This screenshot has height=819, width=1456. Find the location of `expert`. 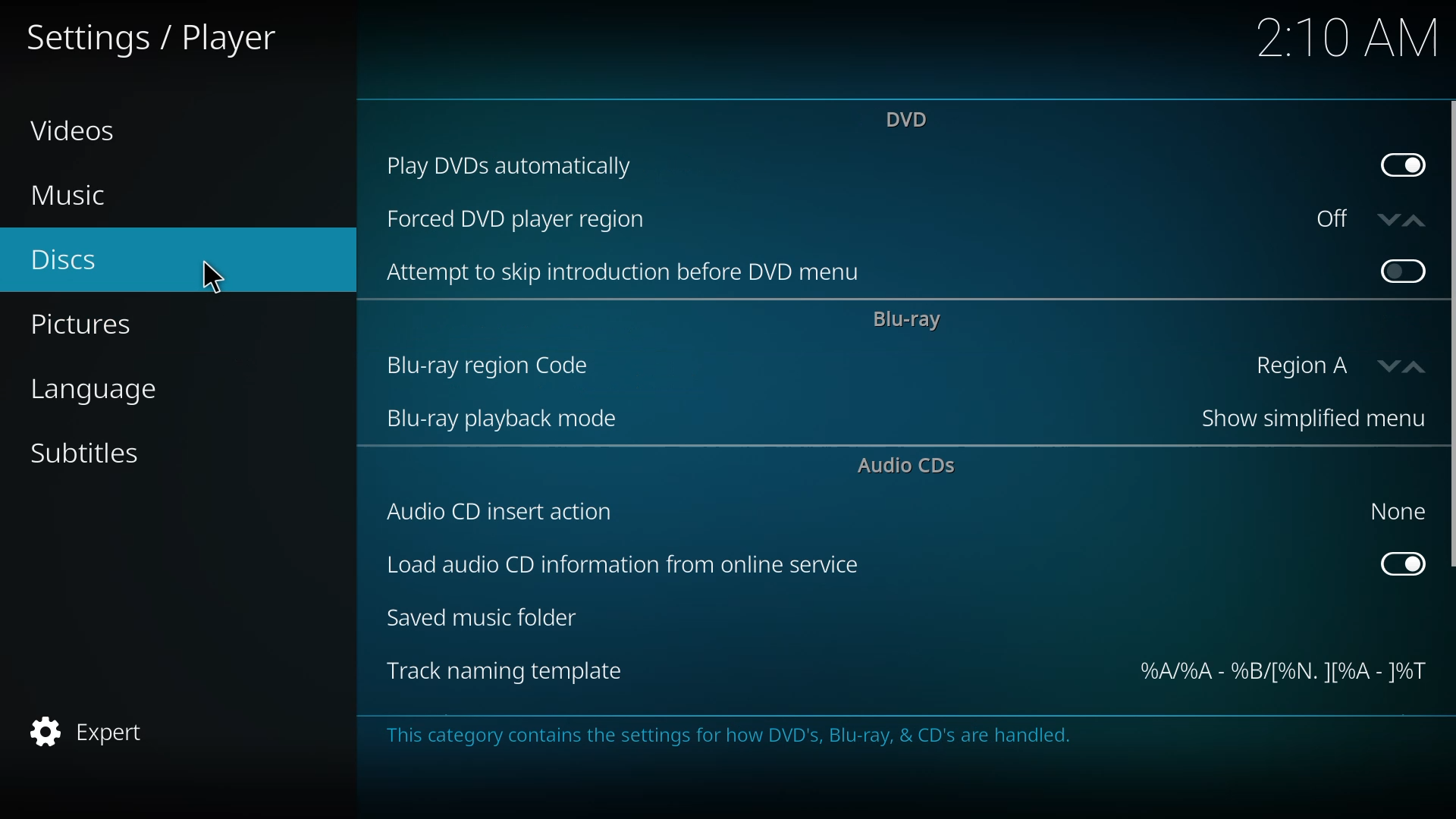

expert is located at coordinates (97, 733).